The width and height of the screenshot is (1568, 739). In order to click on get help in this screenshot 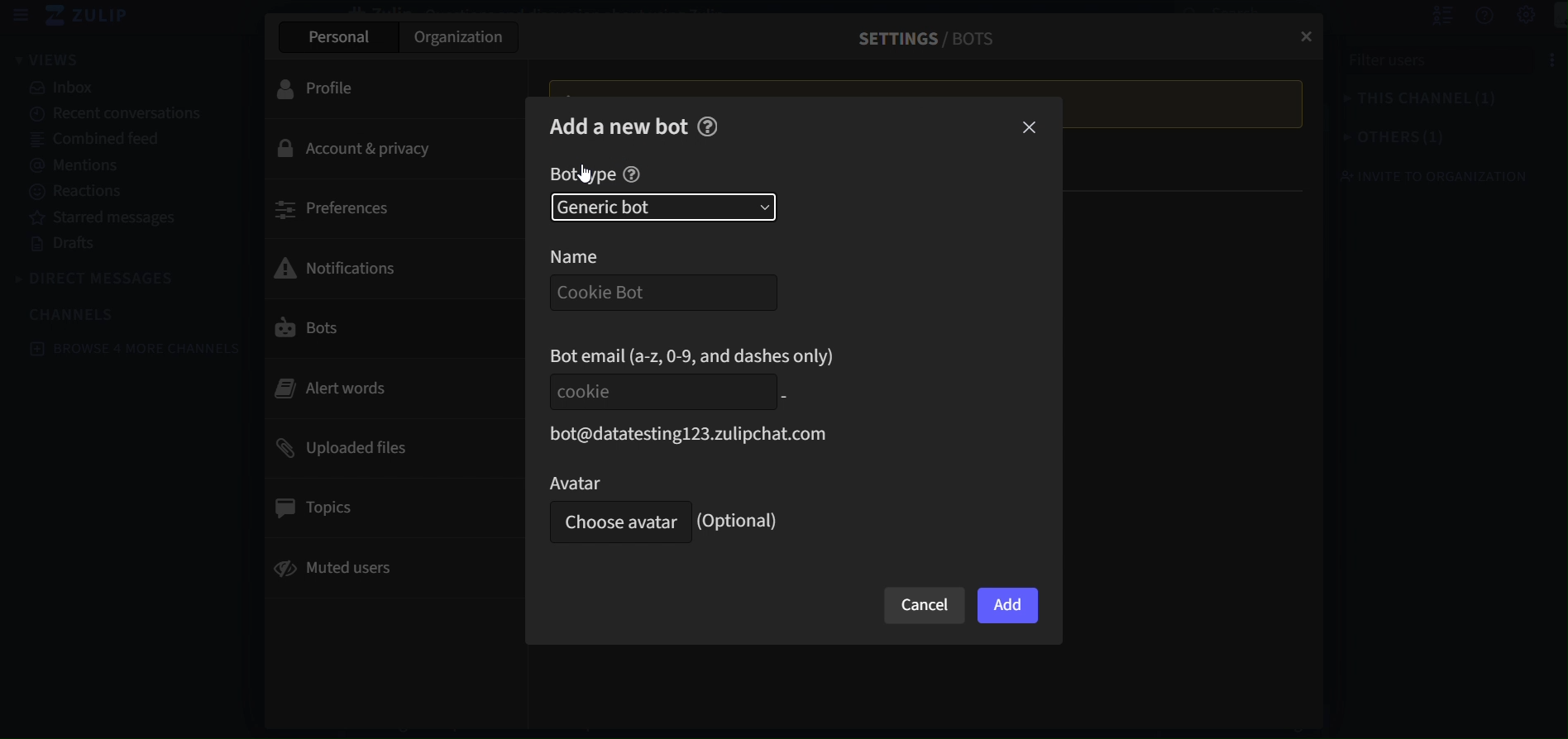, I will do `click(1466, 17)`.